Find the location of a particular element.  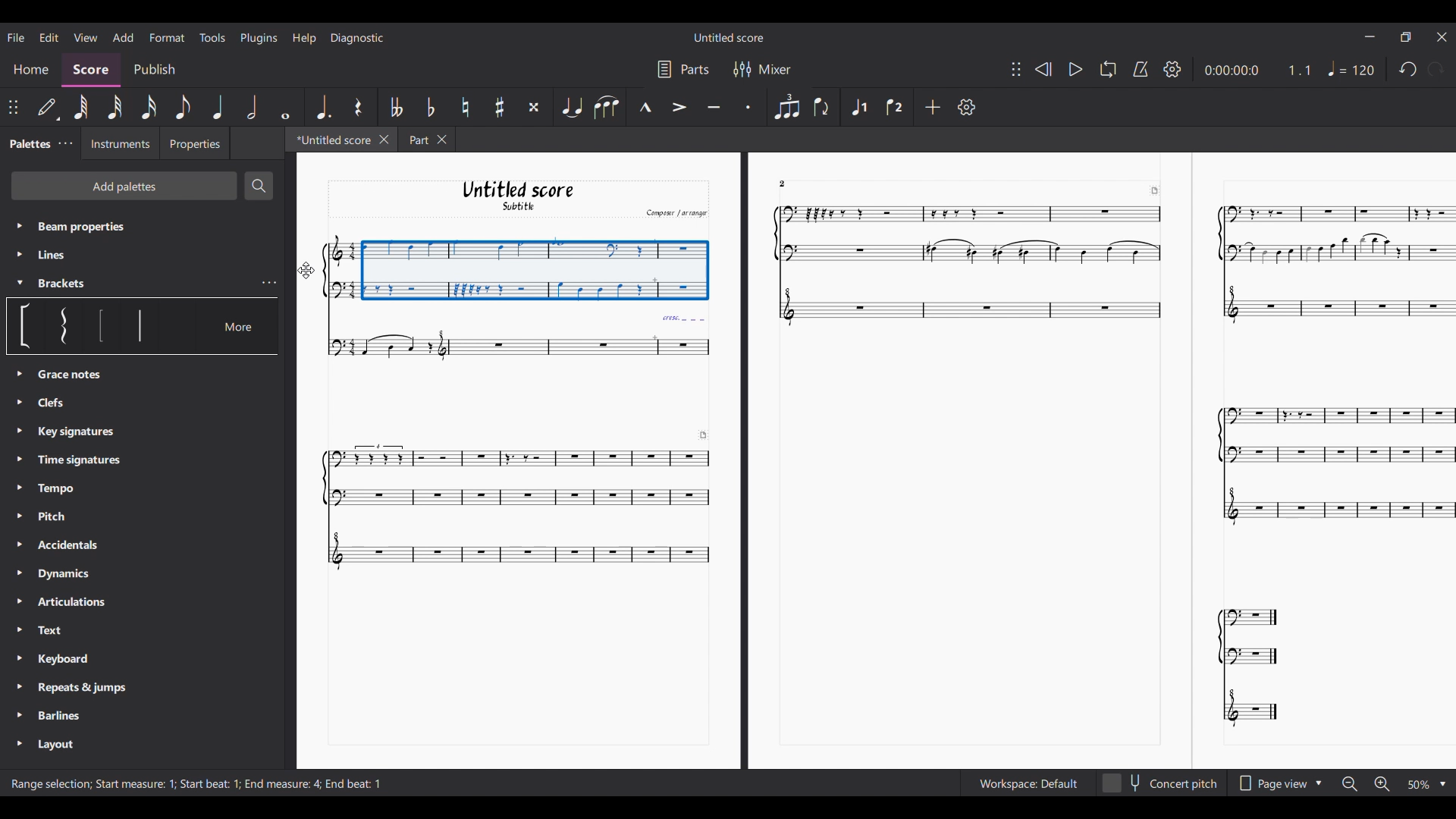

Key Signatures is located at coordinates (76, 433).